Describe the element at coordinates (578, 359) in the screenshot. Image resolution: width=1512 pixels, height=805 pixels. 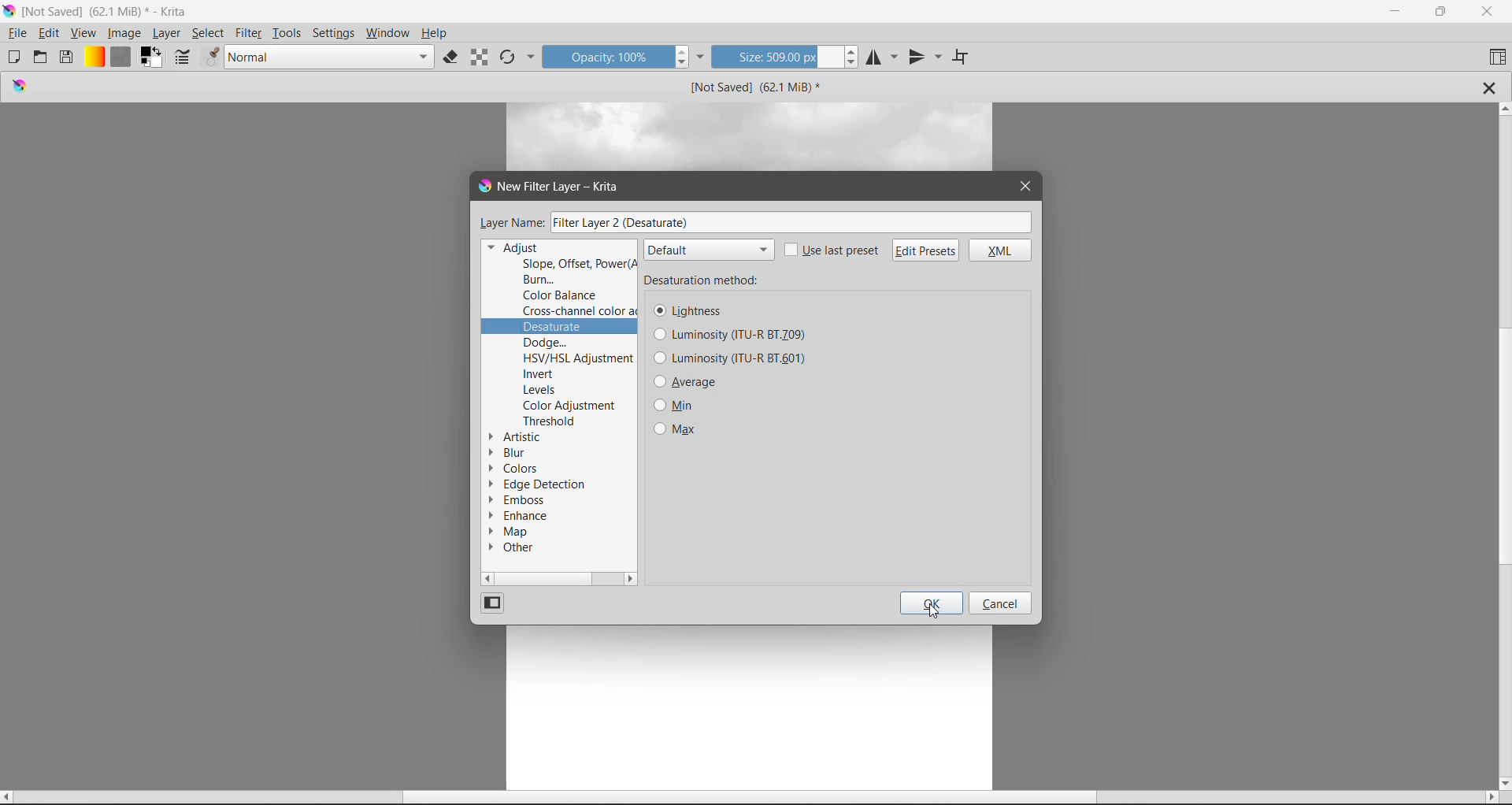
I see `HSV/HSL Adjustment` at that location.